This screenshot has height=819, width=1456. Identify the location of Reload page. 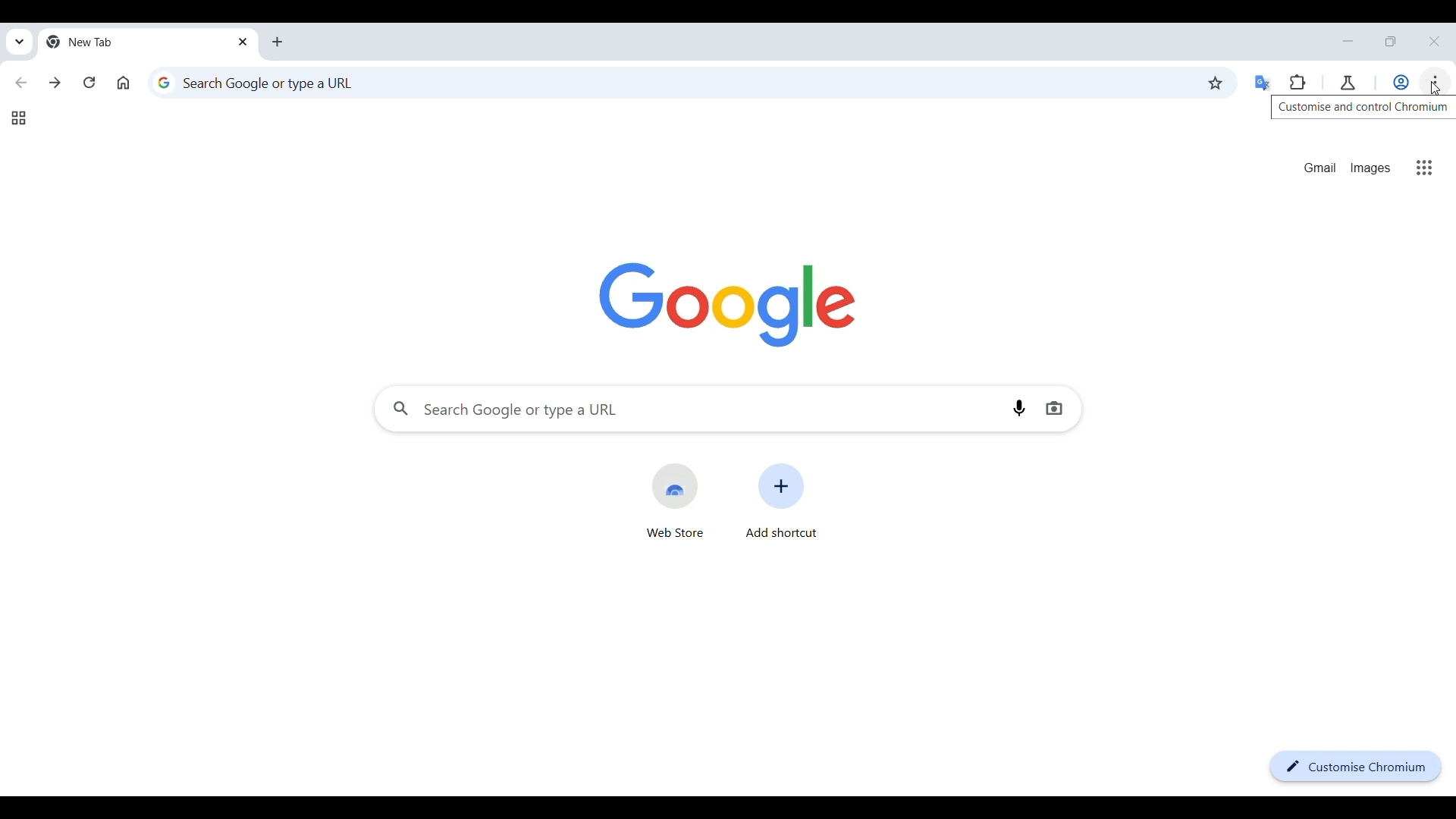
(89, 82).